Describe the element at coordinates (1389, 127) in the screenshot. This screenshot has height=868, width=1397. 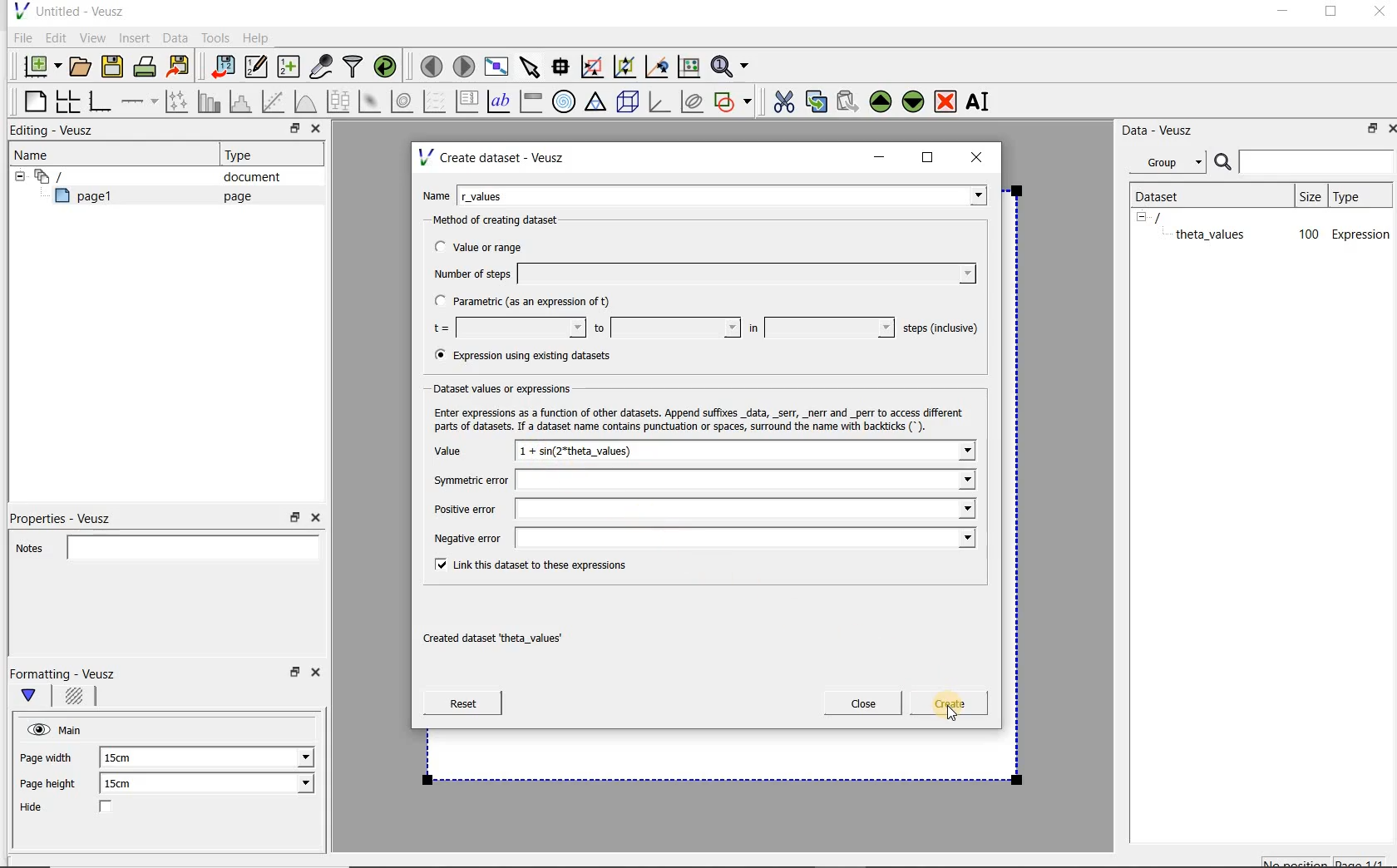
I see `Close` at that location.